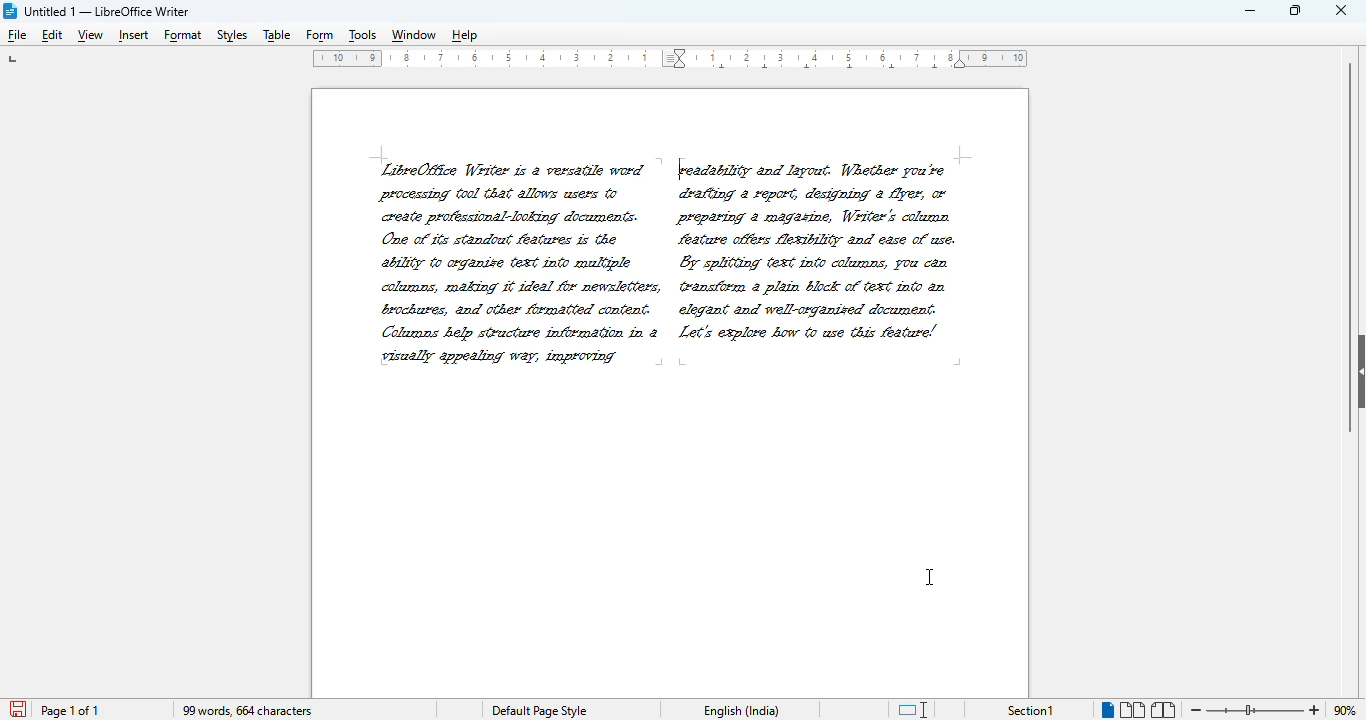 Image resolution: width=1366 pixels, height=720 pixels. Describe the element at coordinates (1197, 709) in the screenshot. I see `zoom out` at that location.